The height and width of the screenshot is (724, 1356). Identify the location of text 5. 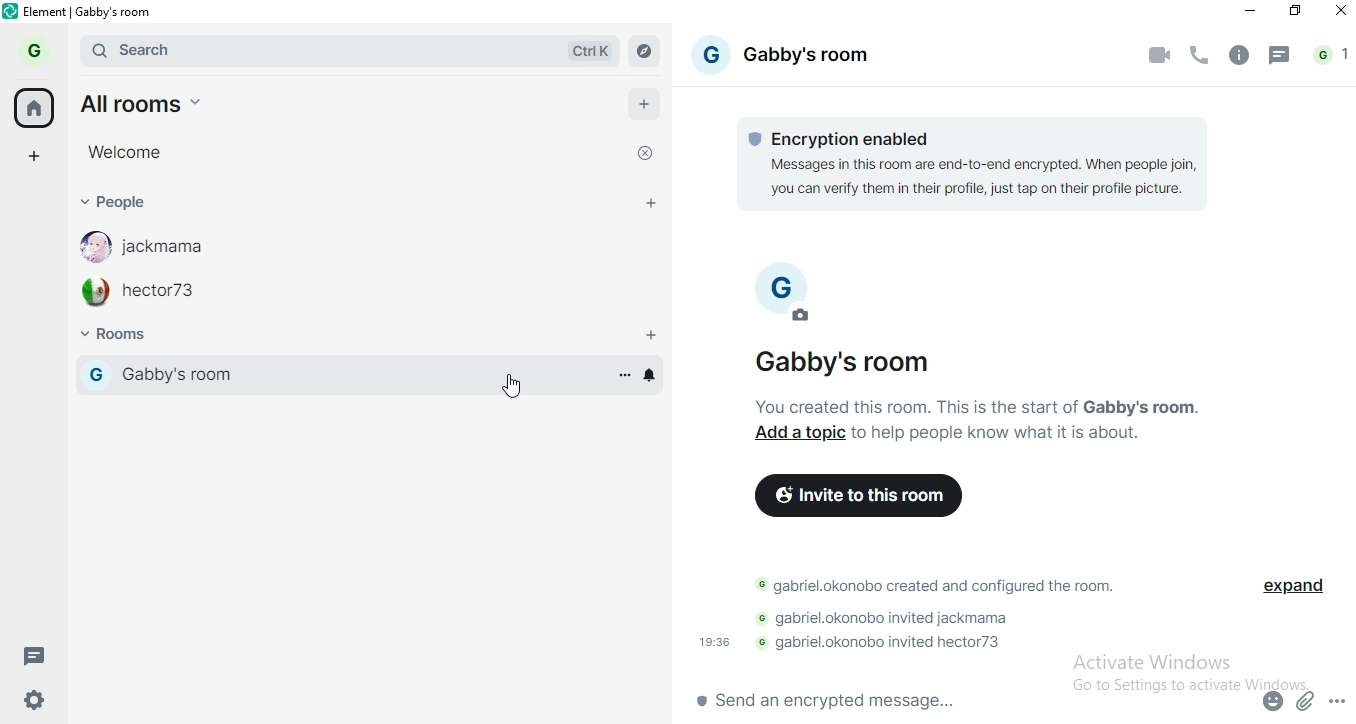
(884, 644).